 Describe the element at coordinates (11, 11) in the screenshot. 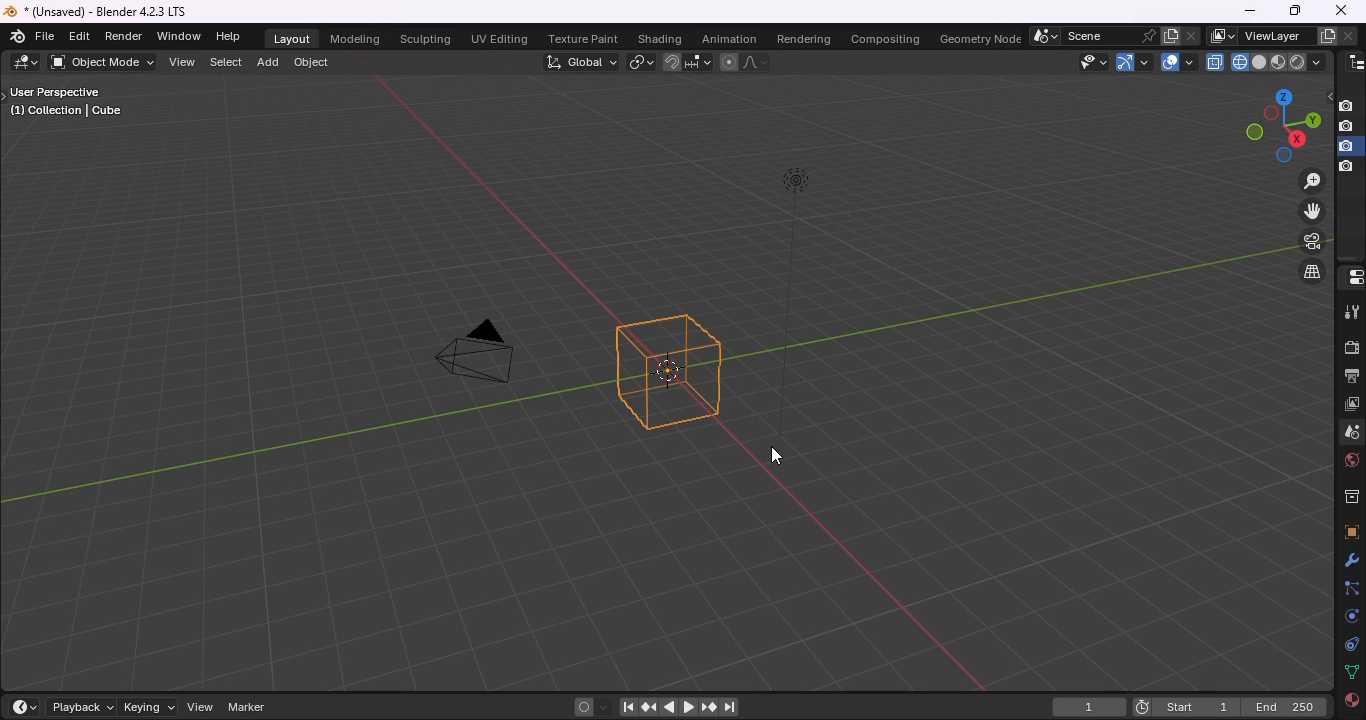

I see `logo` at that location.